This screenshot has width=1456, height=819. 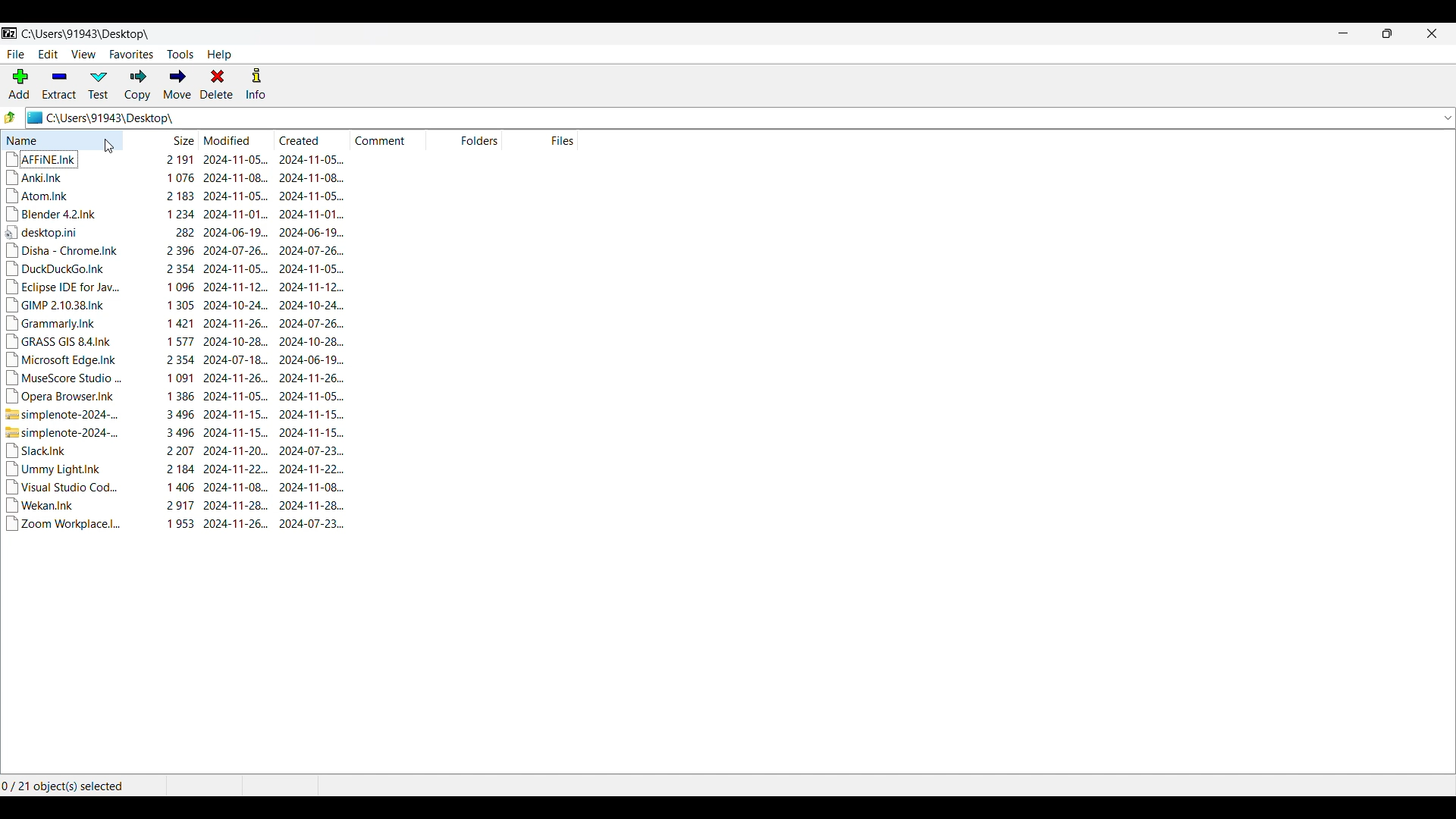 I want to click on Microsoft Edge.Ink 2354 2024-07-18... 2024-06-19..., so click(x=174, y=359).